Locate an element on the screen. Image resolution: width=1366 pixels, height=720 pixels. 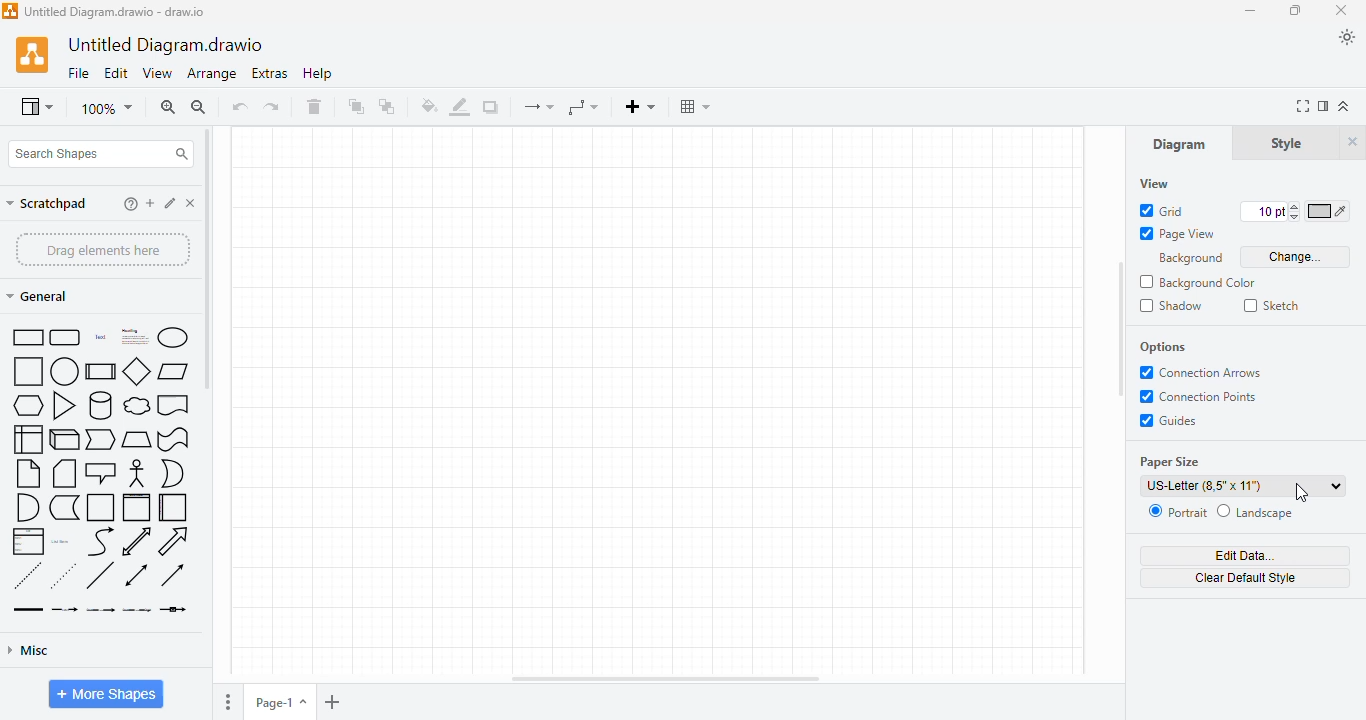
document is located at coordinates (173, 405).